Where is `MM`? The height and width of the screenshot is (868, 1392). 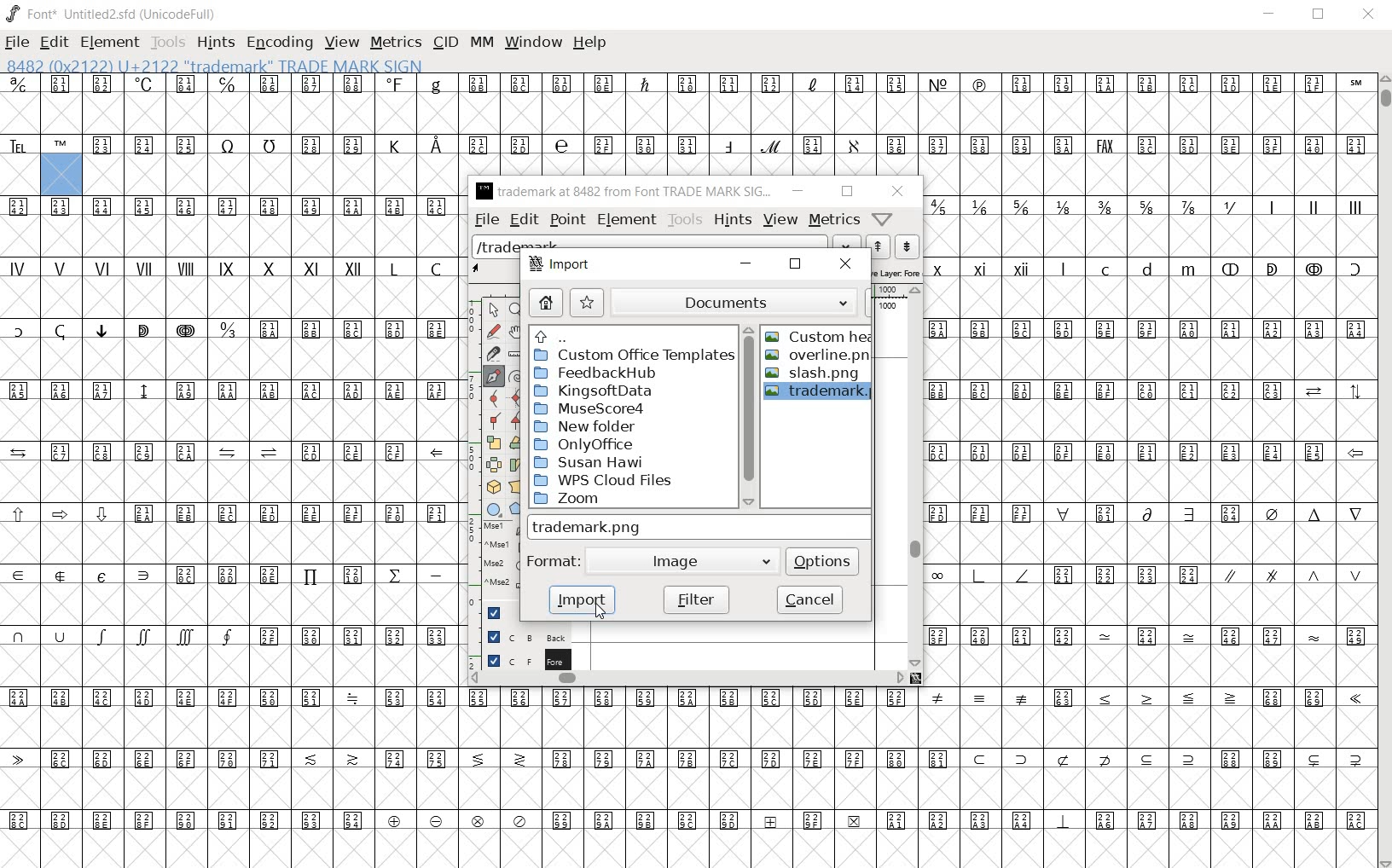
MM is located at coordinates (481, 44).